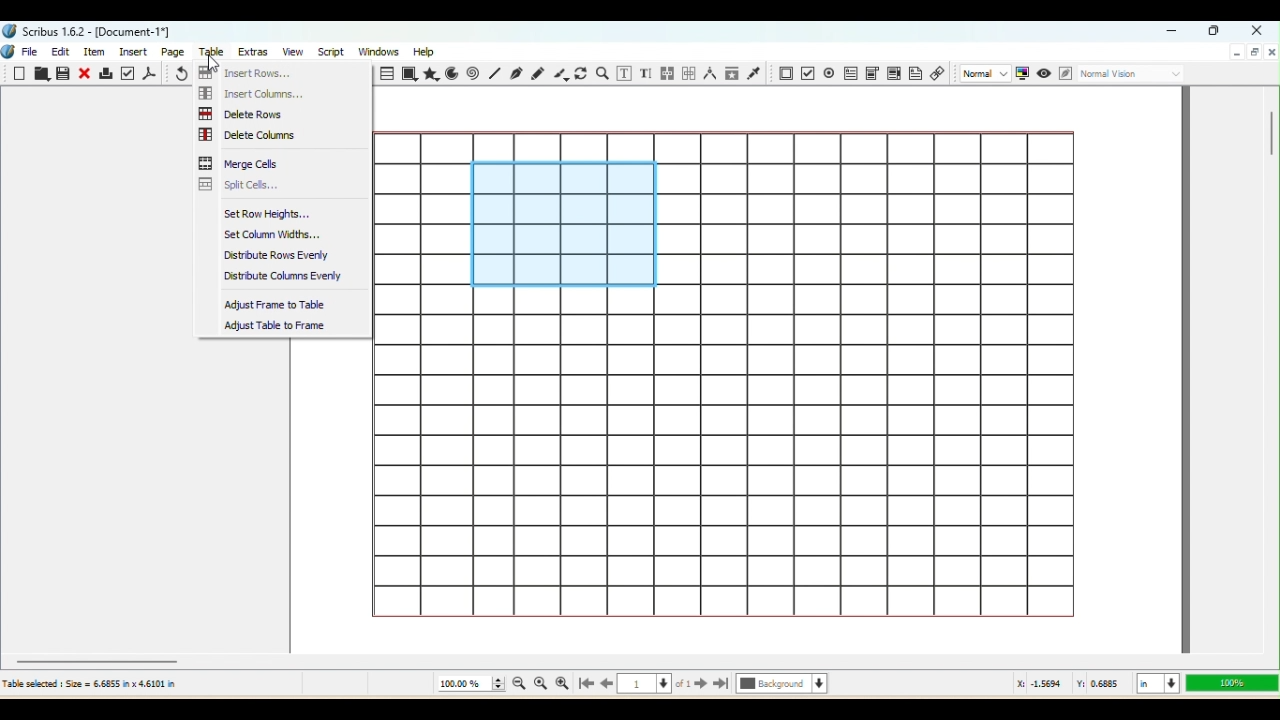 This screenshot has width=1280, height=720. Describe the element at coordinates (849, 72) in the screenshot. I see `PDF text field` at that location.